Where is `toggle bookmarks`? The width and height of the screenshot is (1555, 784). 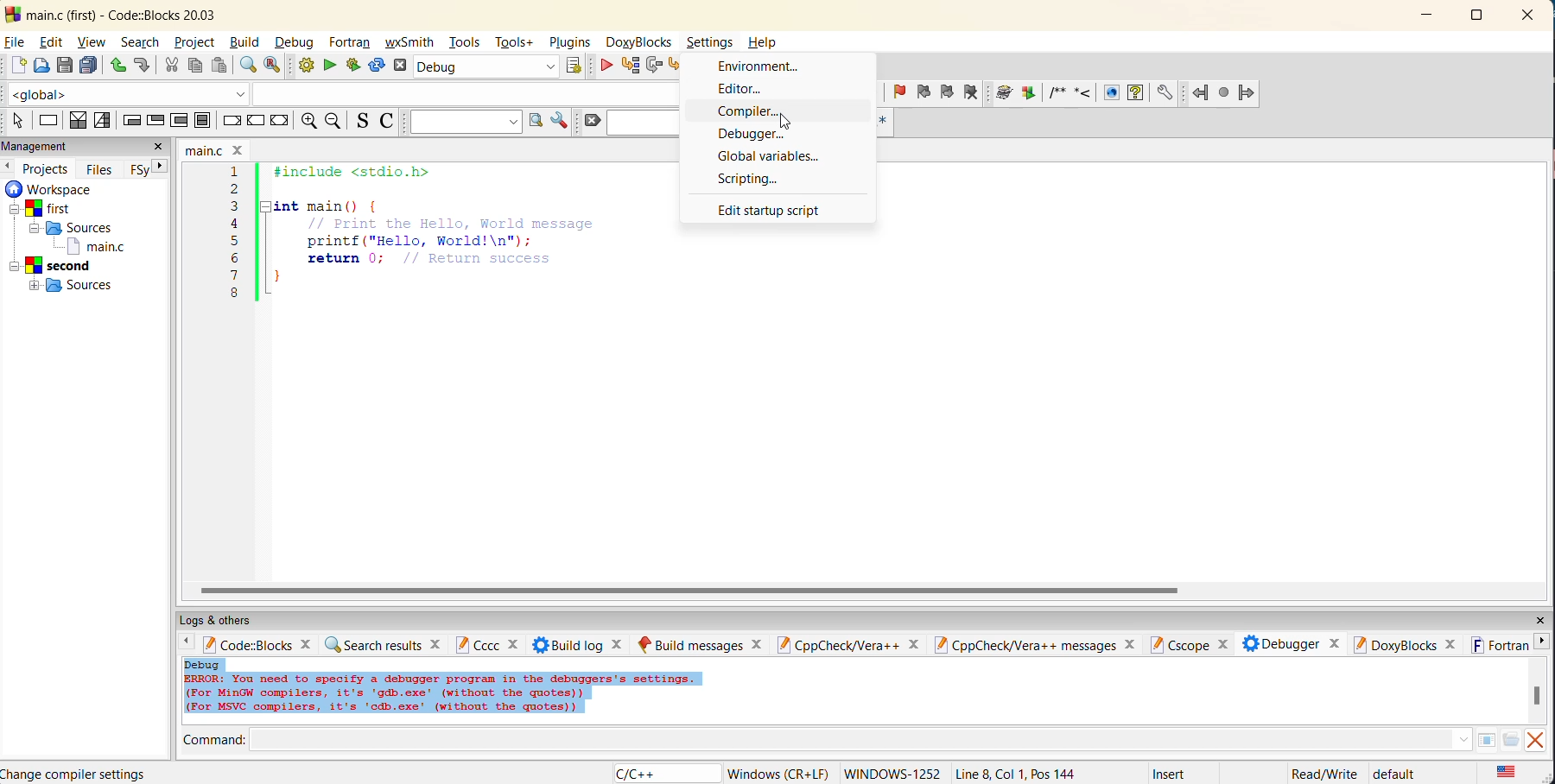
toggle bookmarks is located at coordinates (900, 92).